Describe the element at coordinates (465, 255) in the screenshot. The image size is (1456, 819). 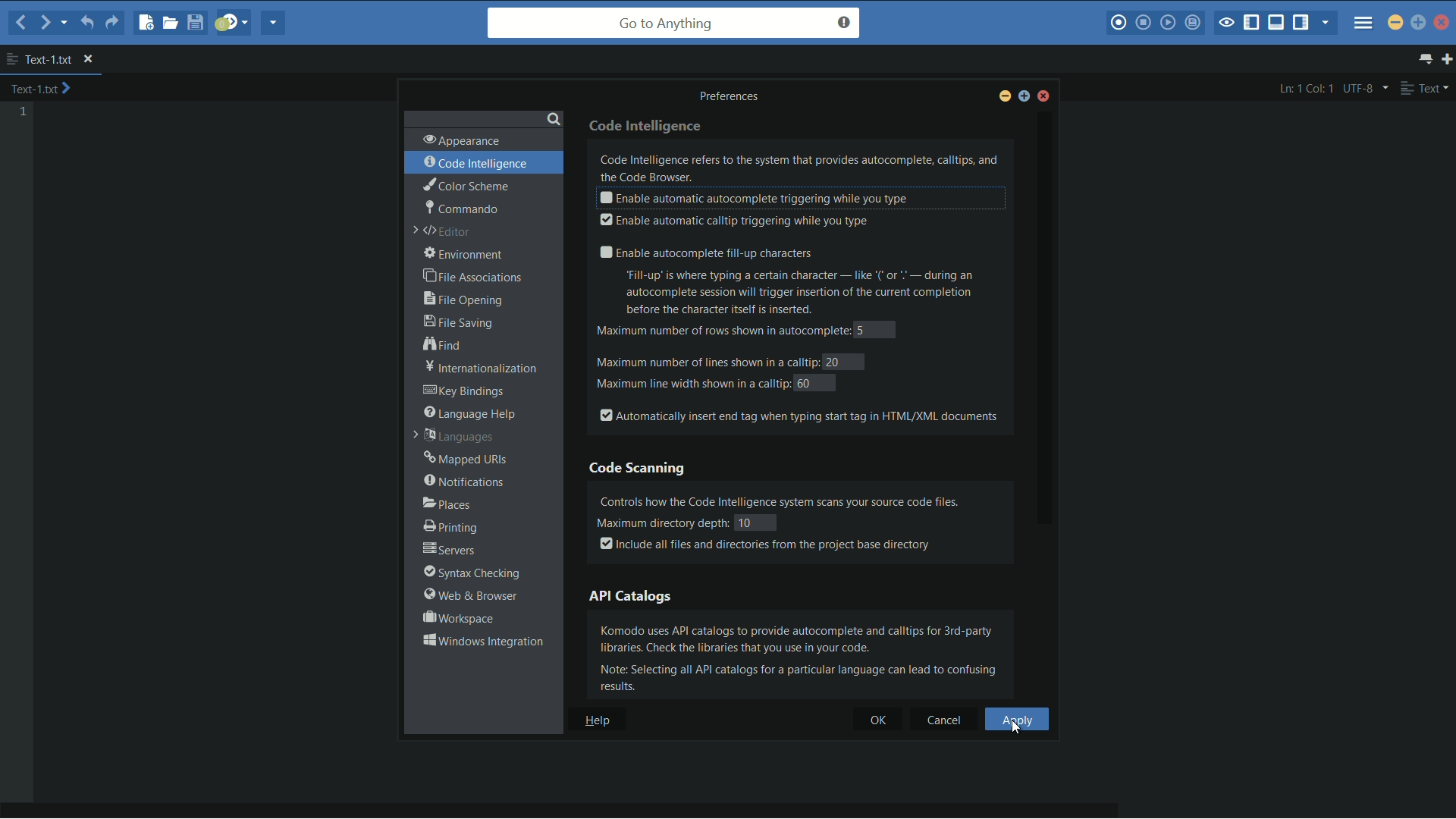
I see `environment` at that location.